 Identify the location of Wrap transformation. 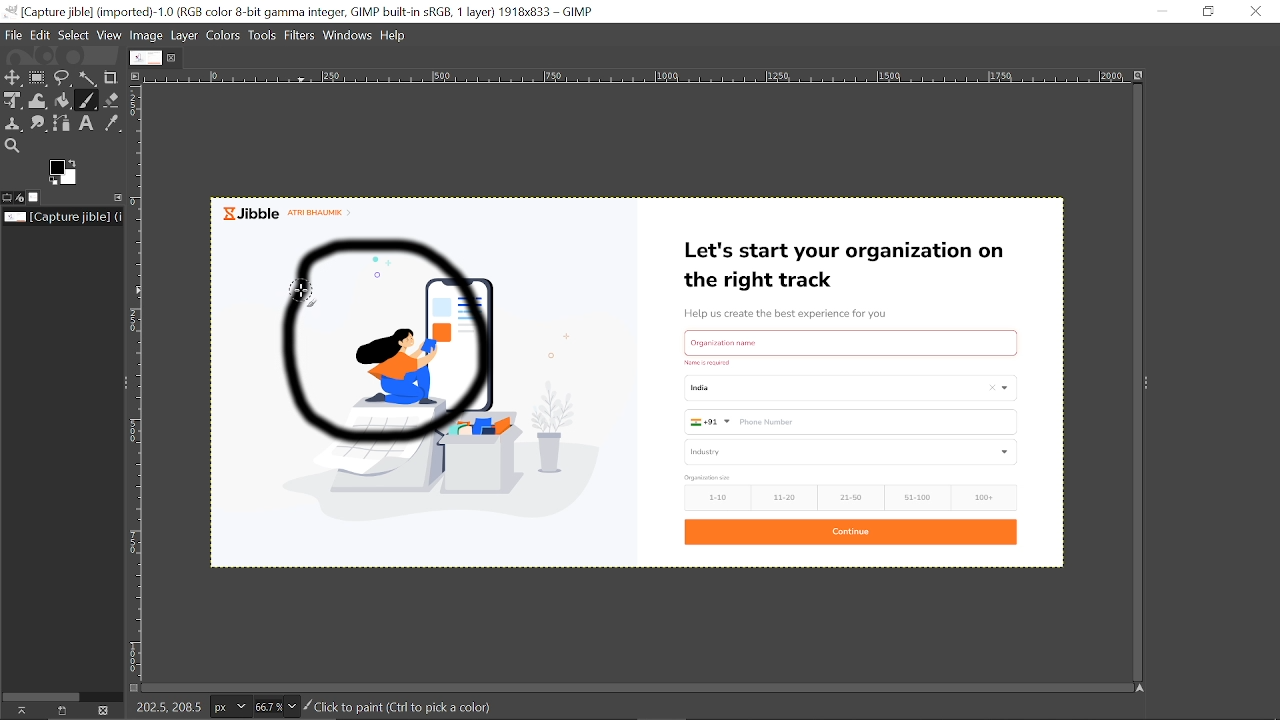
(39, 100).